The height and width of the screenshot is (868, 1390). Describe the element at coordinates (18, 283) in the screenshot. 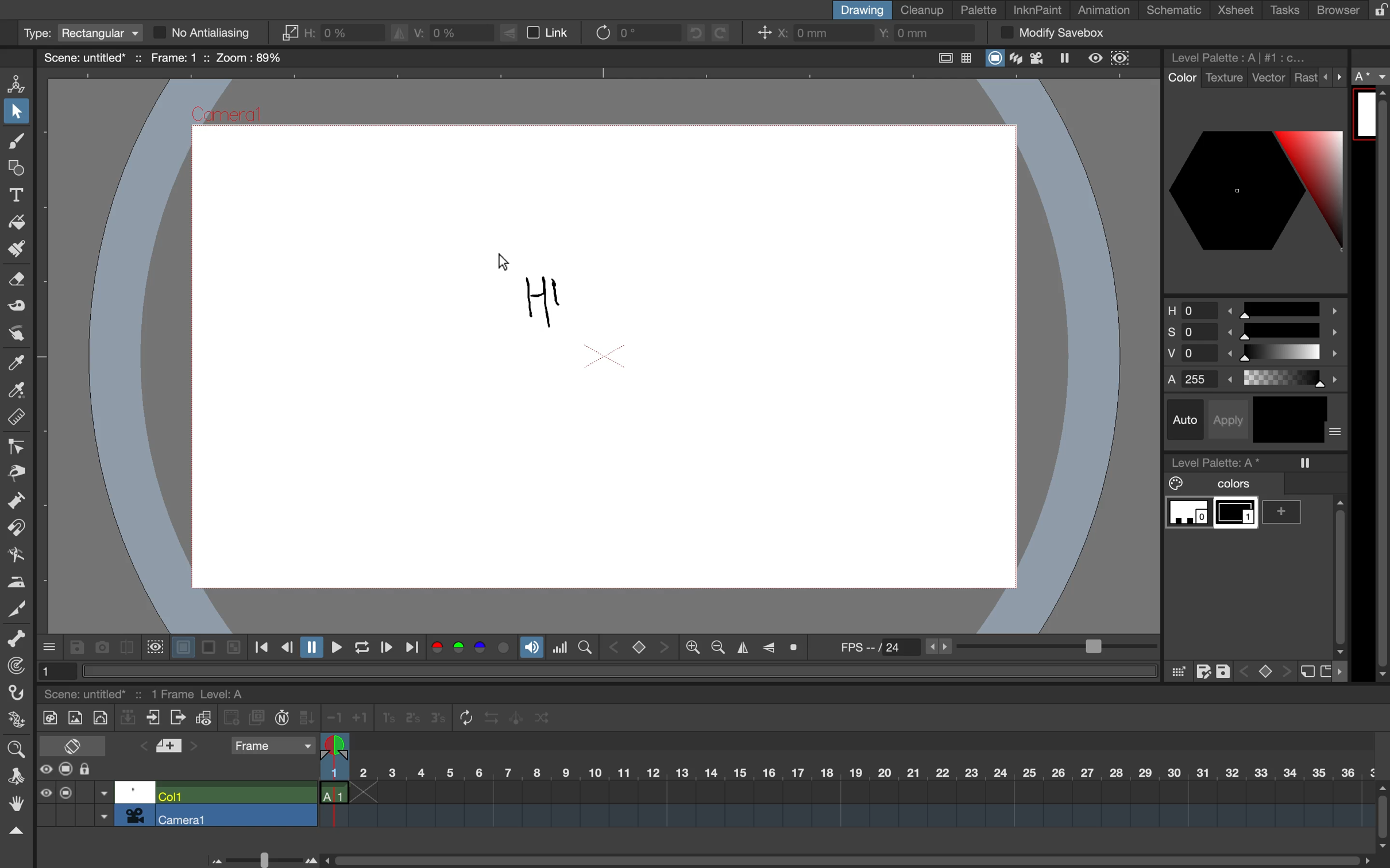

I see `eraser tool` at that location.